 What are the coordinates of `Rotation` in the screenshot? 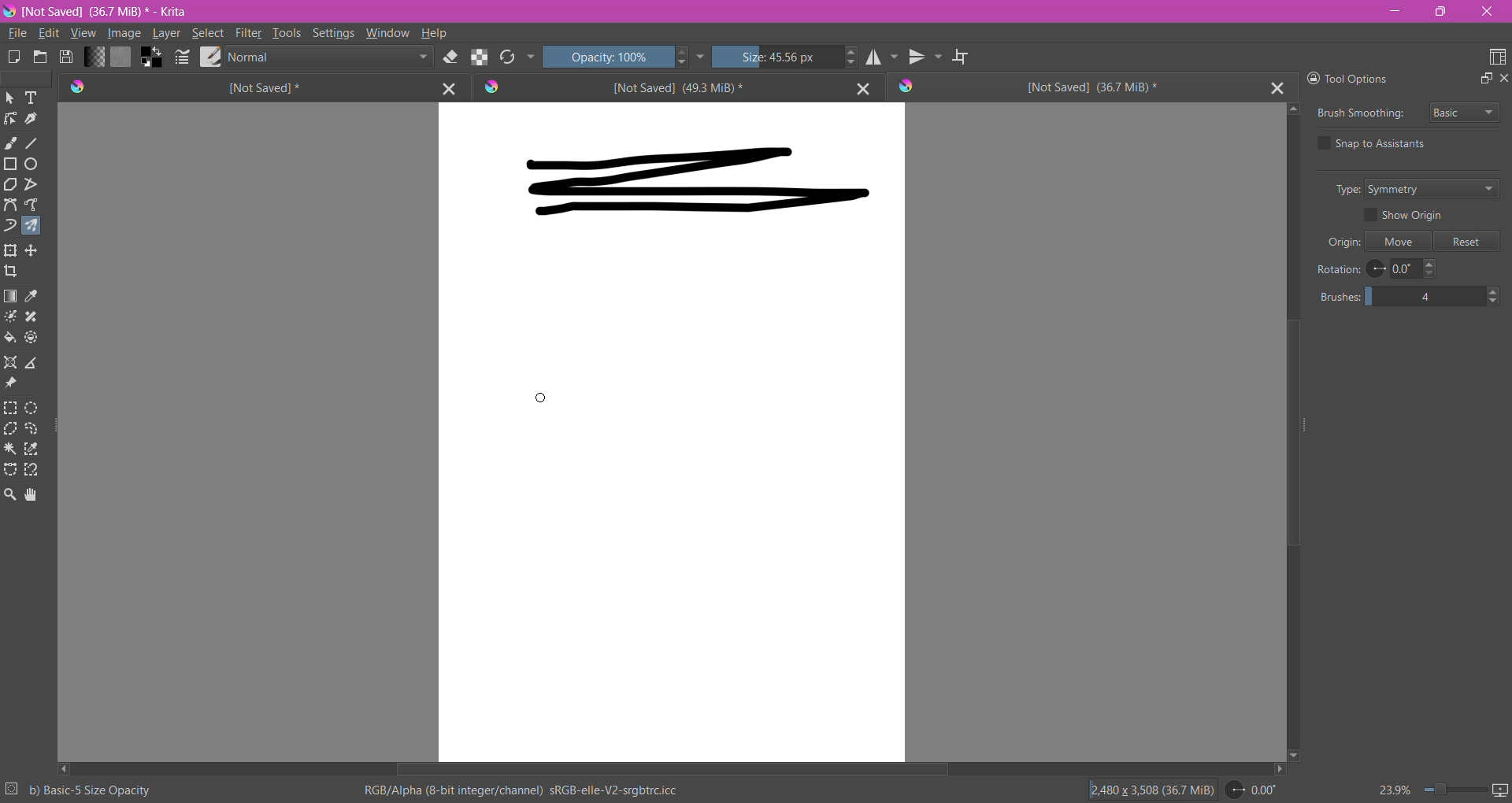 It's located at (1338, 269).